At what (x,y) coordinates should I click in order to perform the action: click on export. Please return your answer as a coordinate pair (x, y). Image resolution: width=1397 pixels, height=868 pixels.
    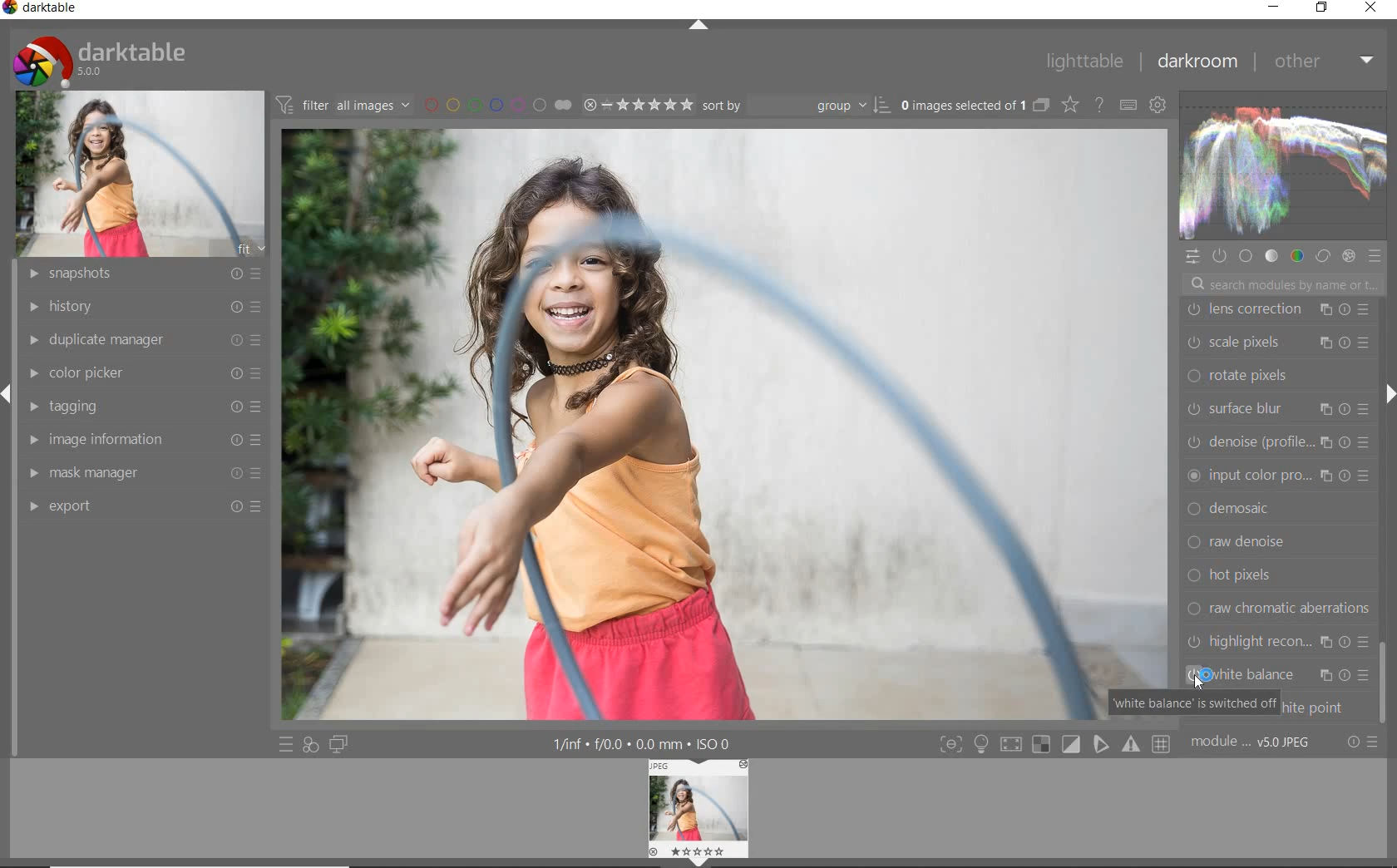
    Looking at the image, I should click on (144, 506).